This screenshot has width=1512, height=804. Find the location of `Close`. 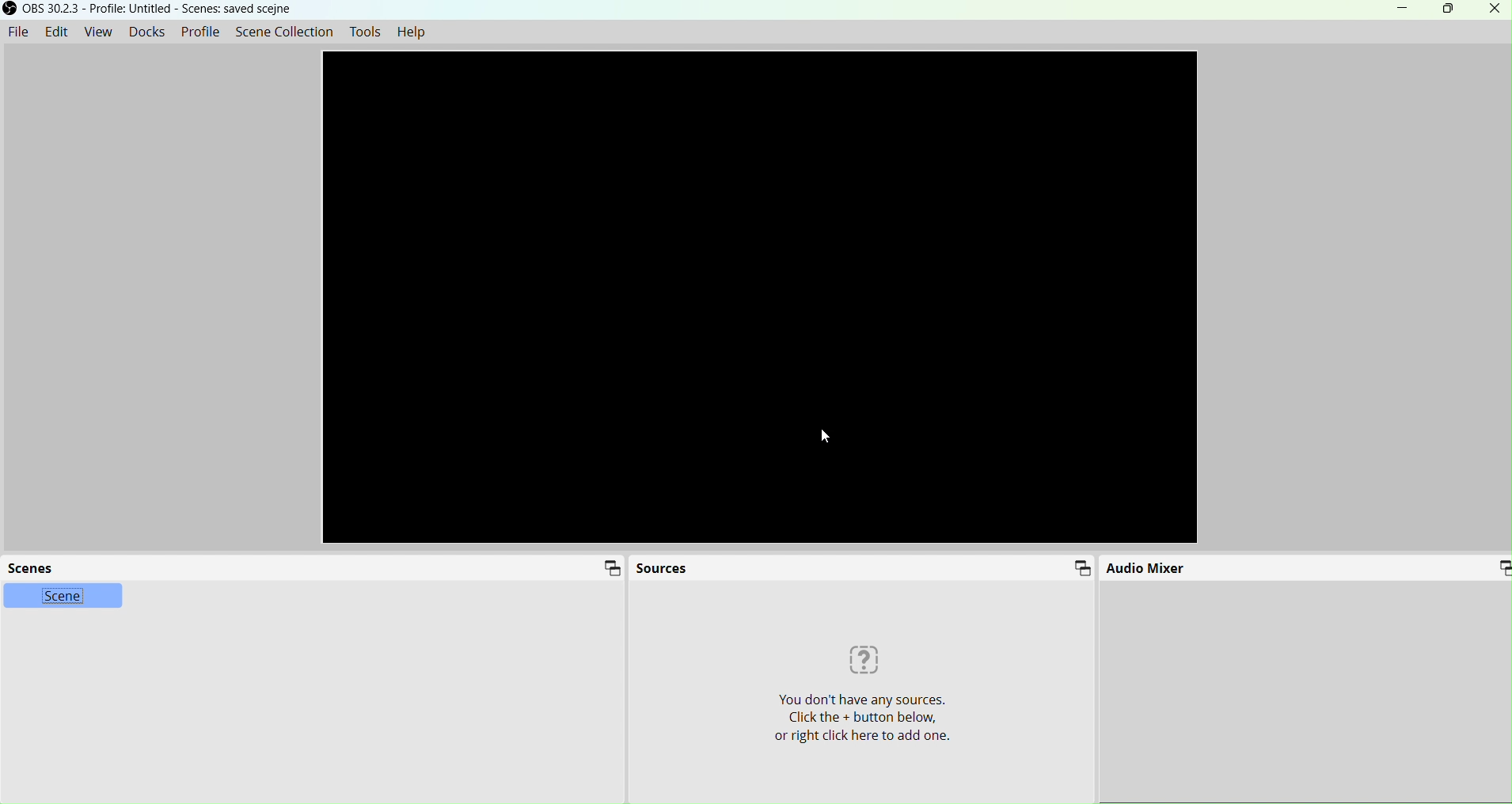

Close is located at coordinates (1493, 11).